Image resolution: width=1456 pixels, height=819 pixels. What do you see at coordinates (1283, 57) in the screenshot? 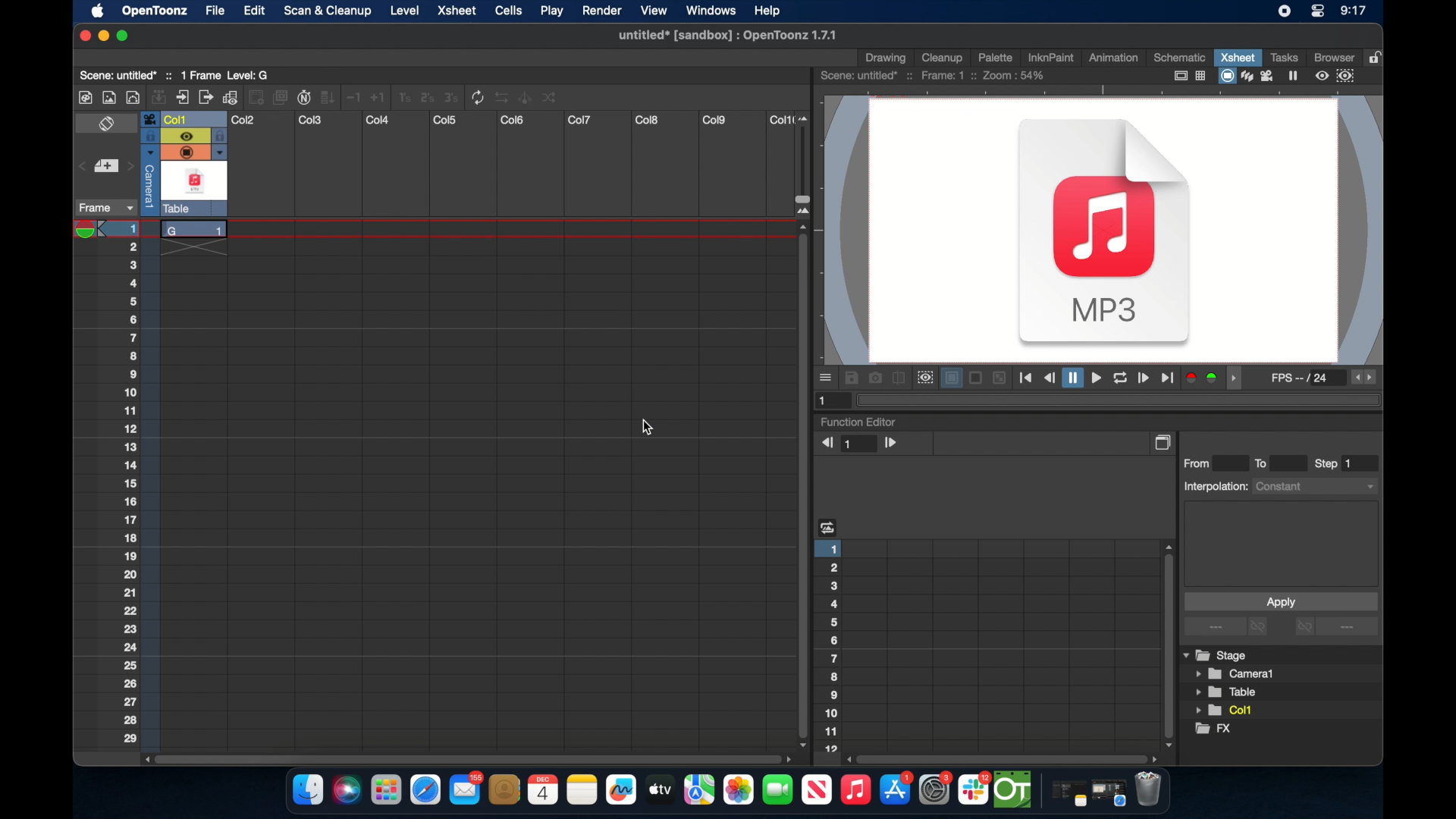
I see `tasks` at bounding box center [1283, 57].